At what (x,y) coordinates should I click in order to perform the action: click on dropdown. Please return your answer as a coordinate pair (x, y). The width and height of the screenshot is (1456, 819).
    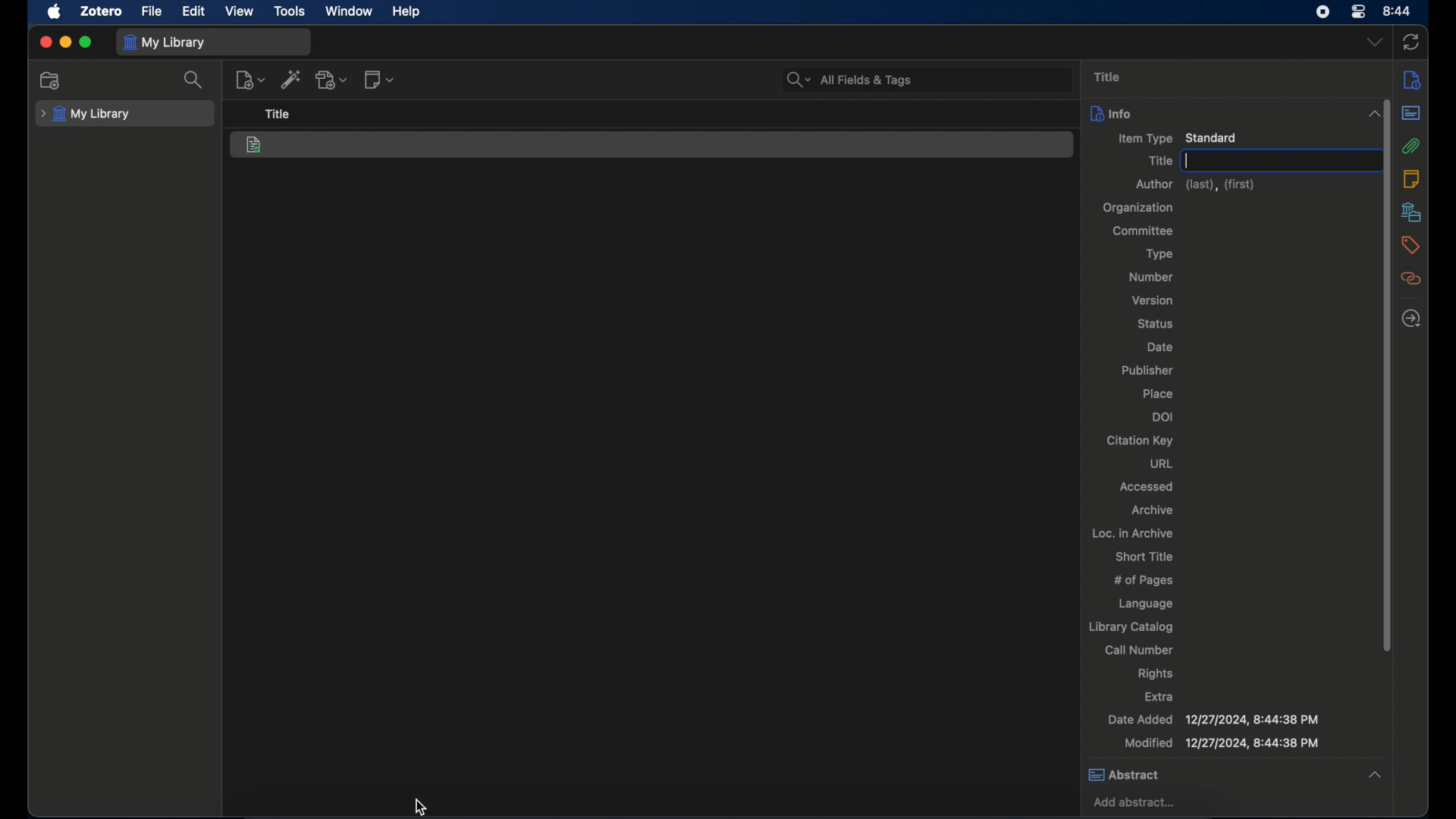
    Looking at the image, I should click on (1375, 42).